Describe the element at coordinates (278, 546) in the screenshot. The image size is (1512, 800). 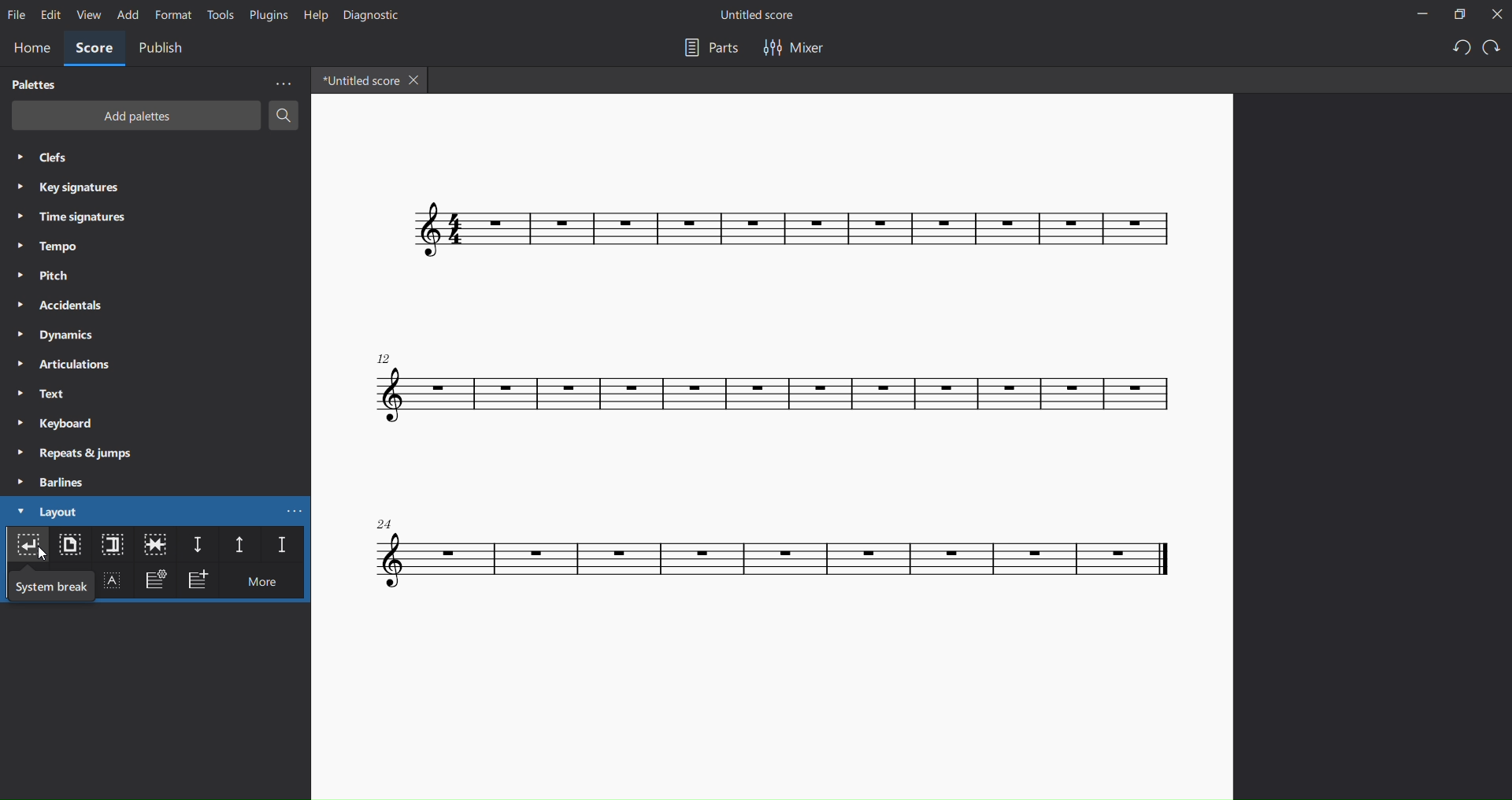
I see `staff spacer fixed down` at that location.